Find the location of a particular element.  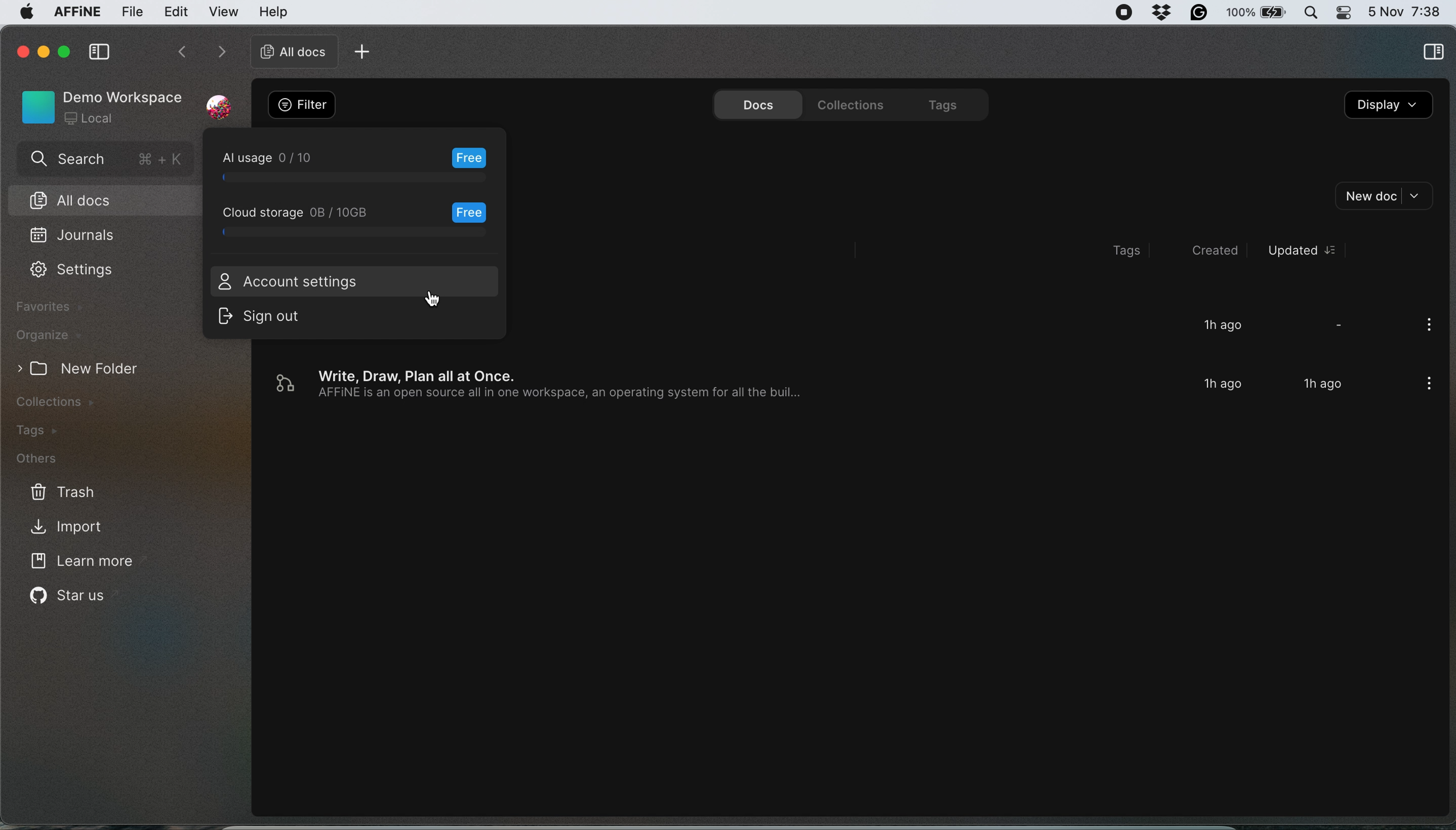

forward is located at coordinates (218, 53).